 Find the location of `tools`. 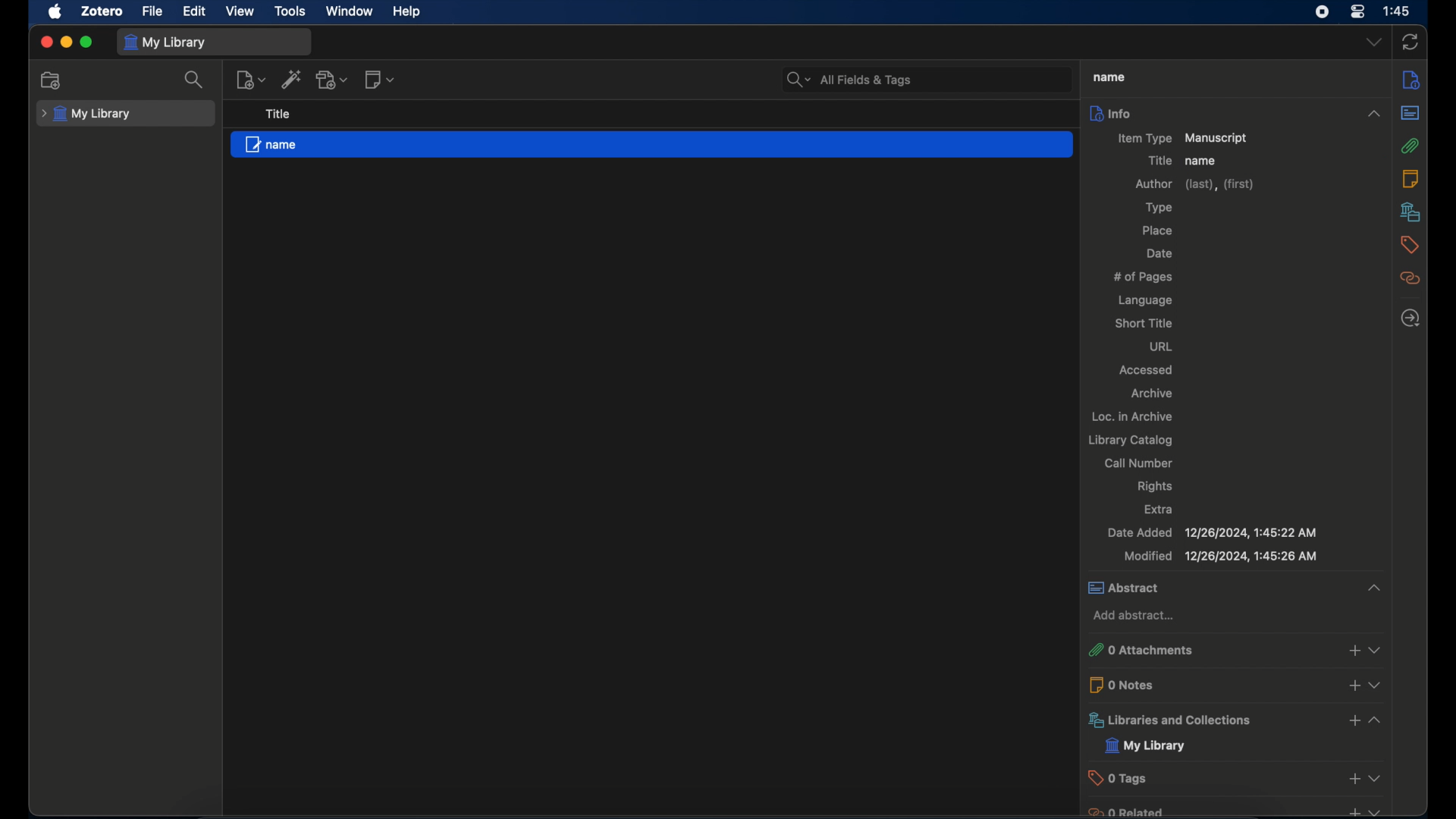

tools is located at coordinates (290, 12).